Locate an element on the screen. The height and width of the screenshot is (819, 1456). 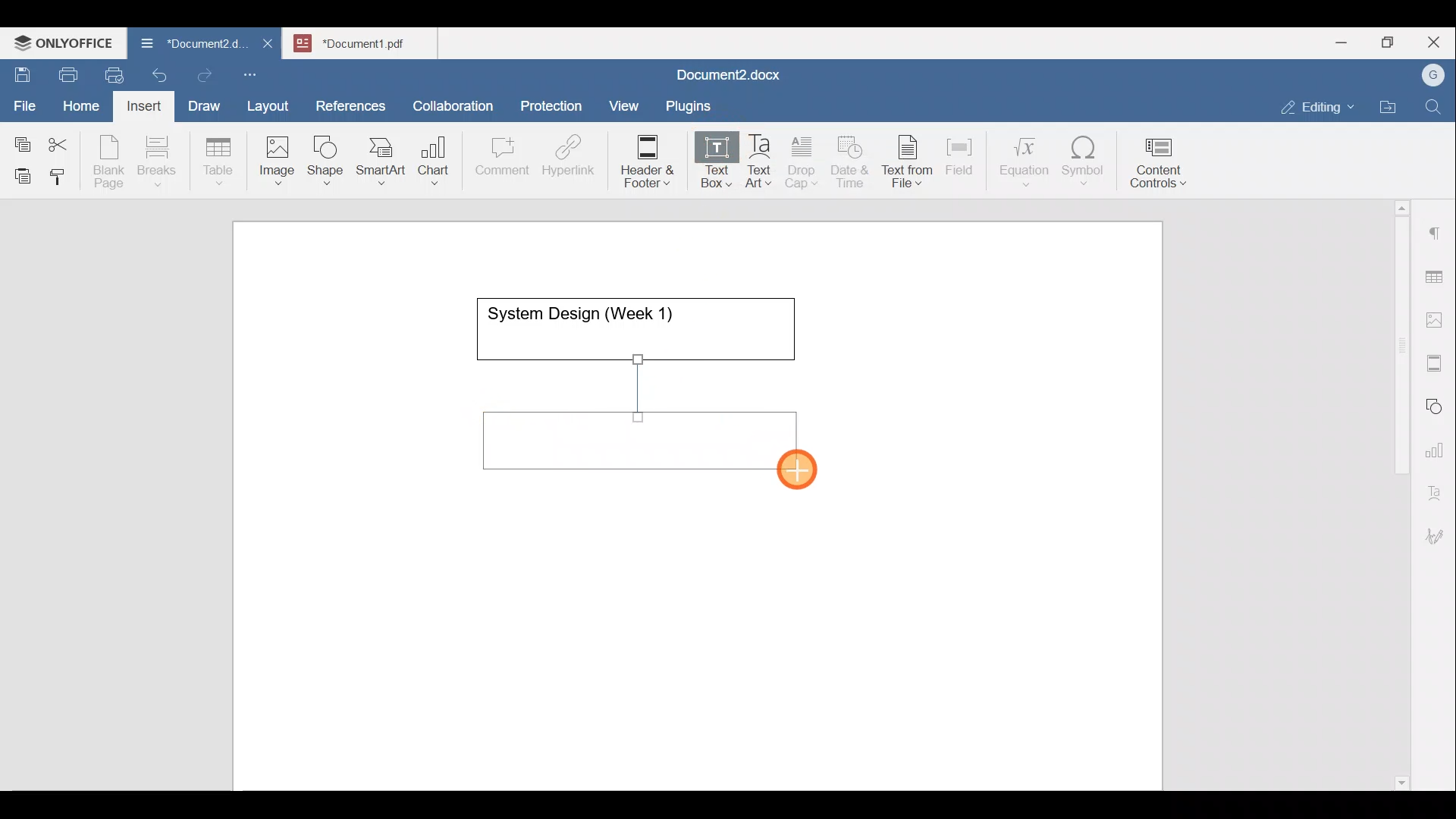
Text from file is located at coordinates (910, 160).